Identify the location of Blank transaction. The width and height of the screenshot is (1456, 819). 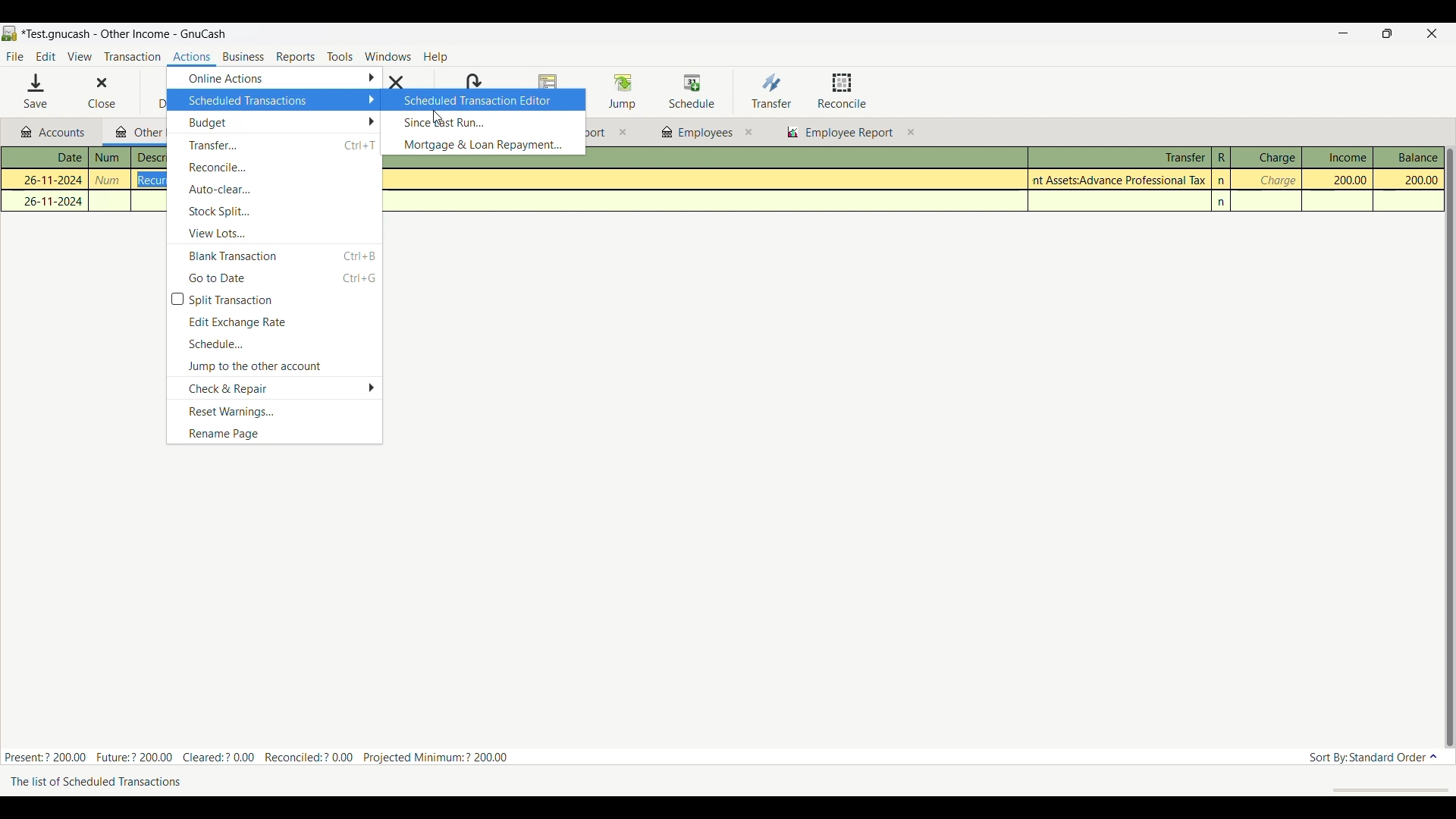
(275, 255).